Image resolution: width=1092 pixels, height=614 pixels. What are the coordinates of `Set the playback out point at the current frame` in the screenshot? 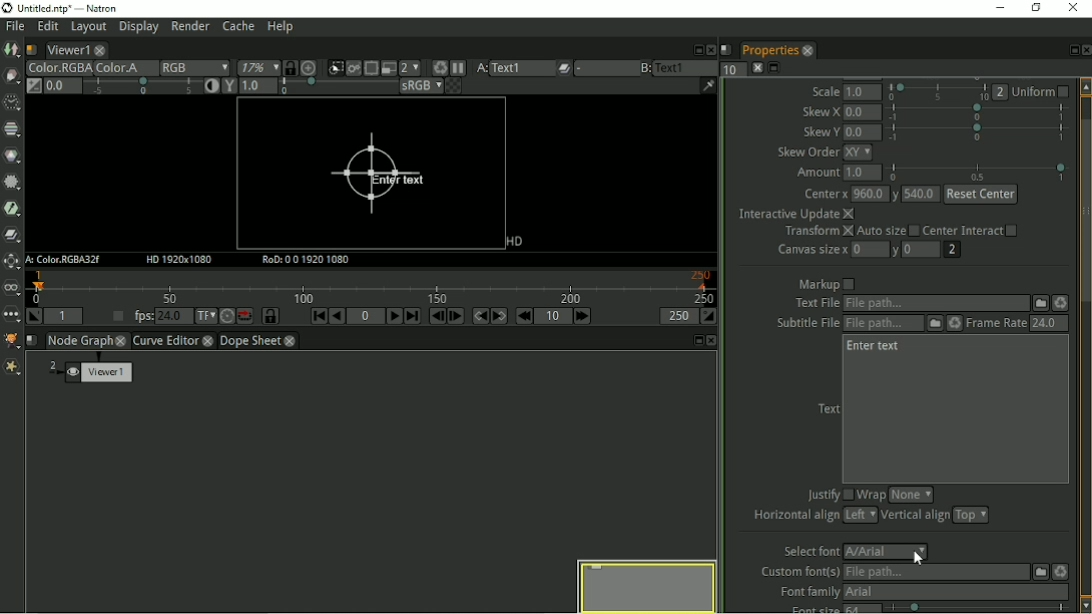 It's located at (710, 316).